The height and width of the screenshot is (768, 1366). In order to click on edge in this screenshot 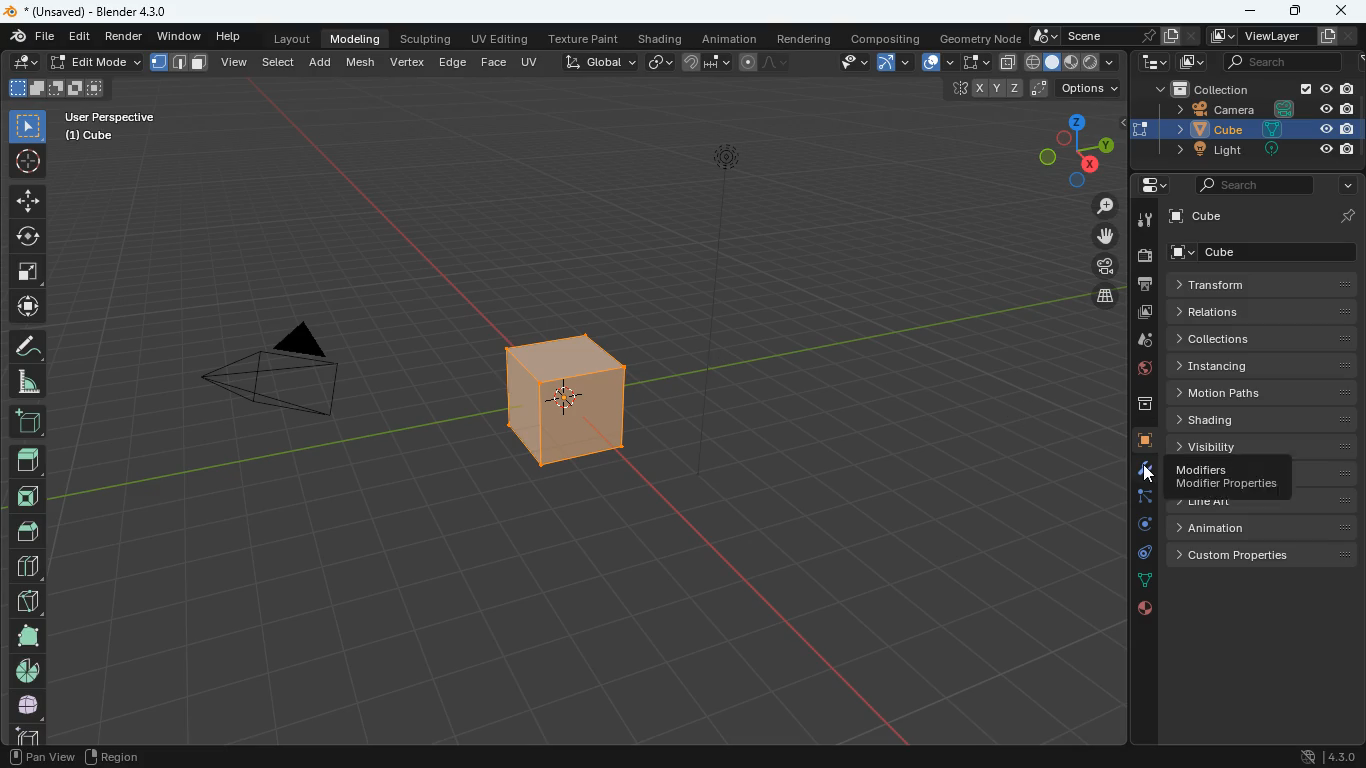, I will do `click(1141, 500)`.